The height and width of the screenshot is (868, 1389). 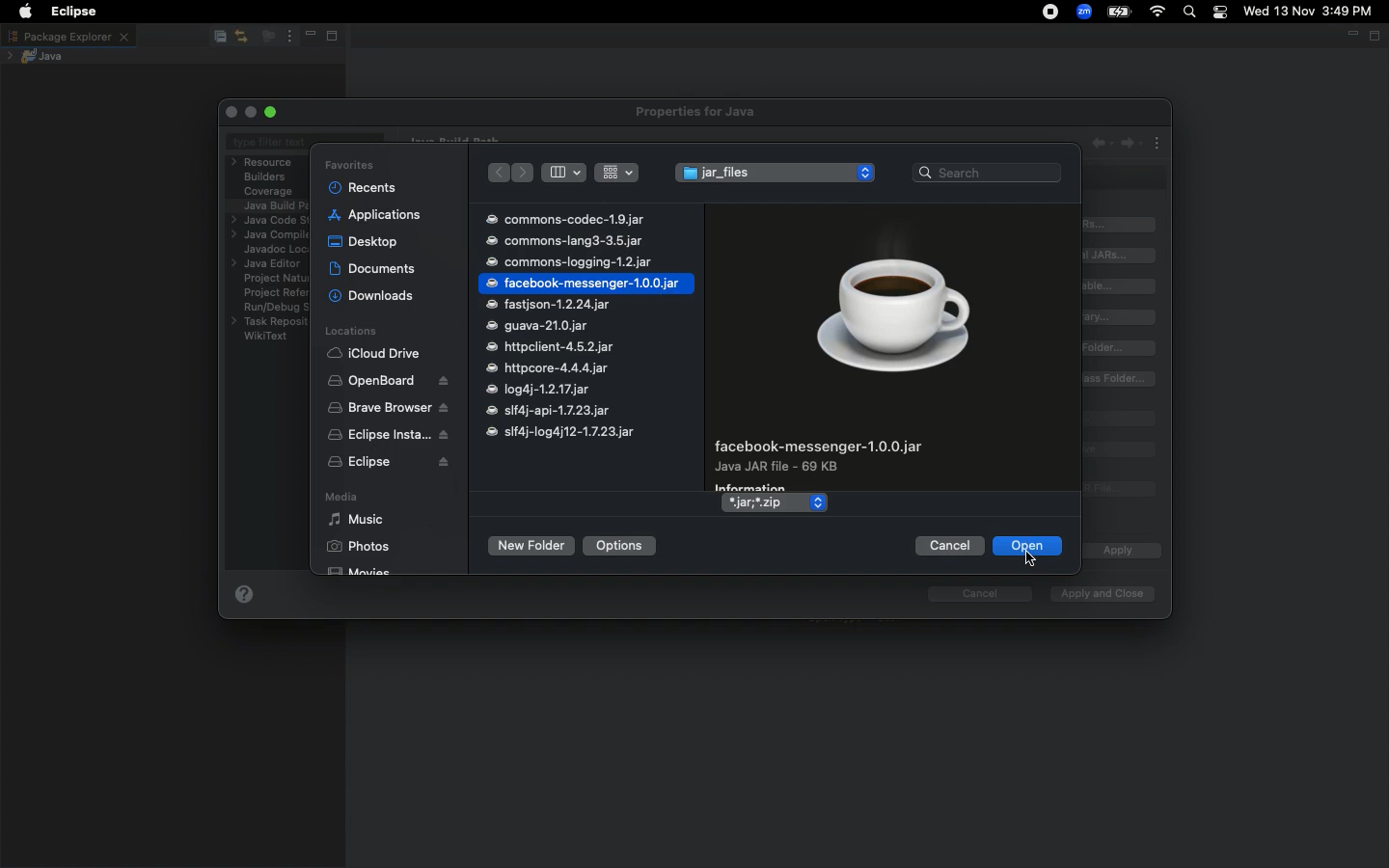 What do you see at coordinates (375, 215) in the screenshot?
I see `Applications` at bounding box center [375, 215].